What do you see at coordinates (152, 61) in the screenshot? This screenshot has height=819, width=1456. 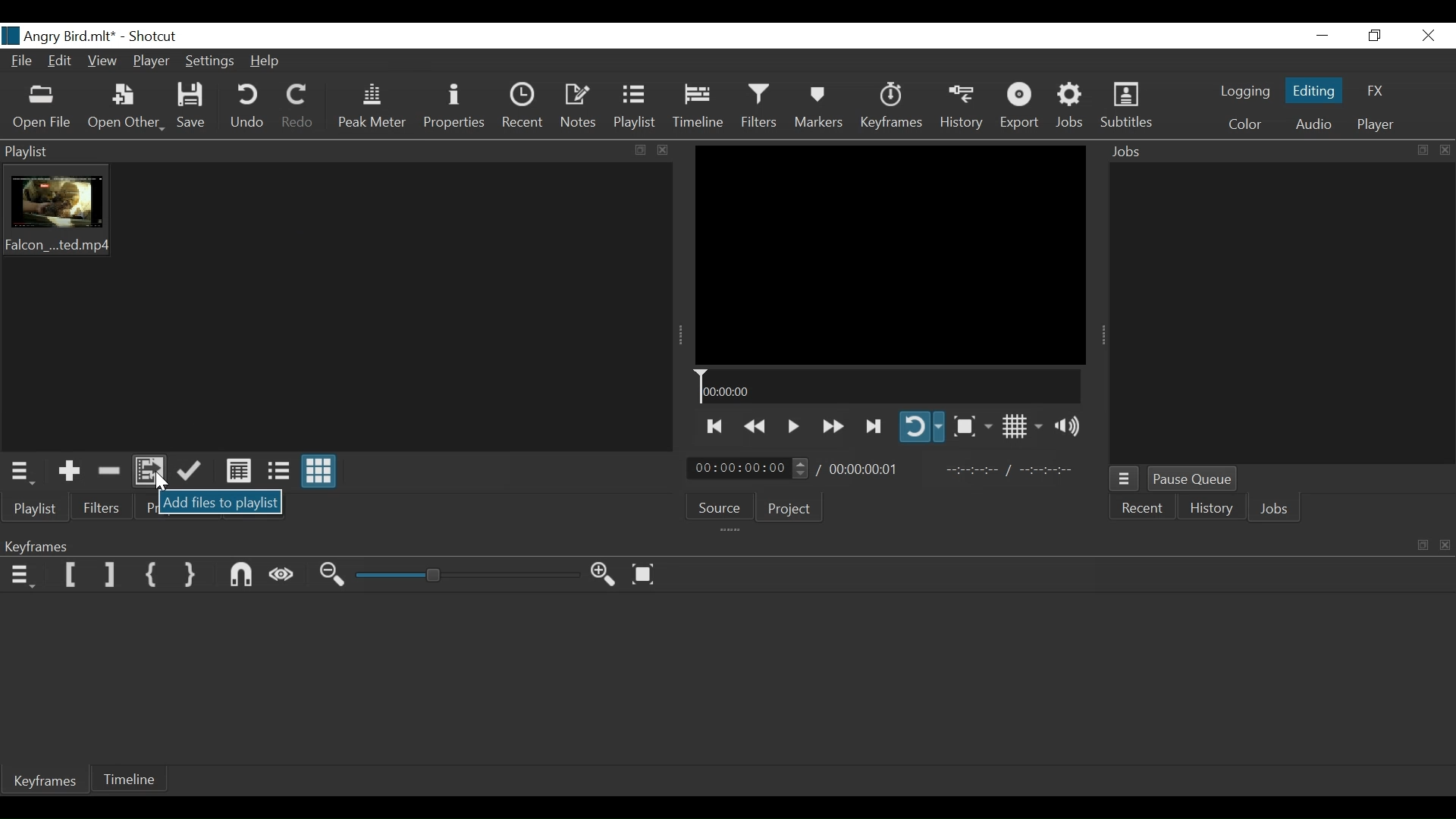 I see `Player` at bounding box center [152, 61].